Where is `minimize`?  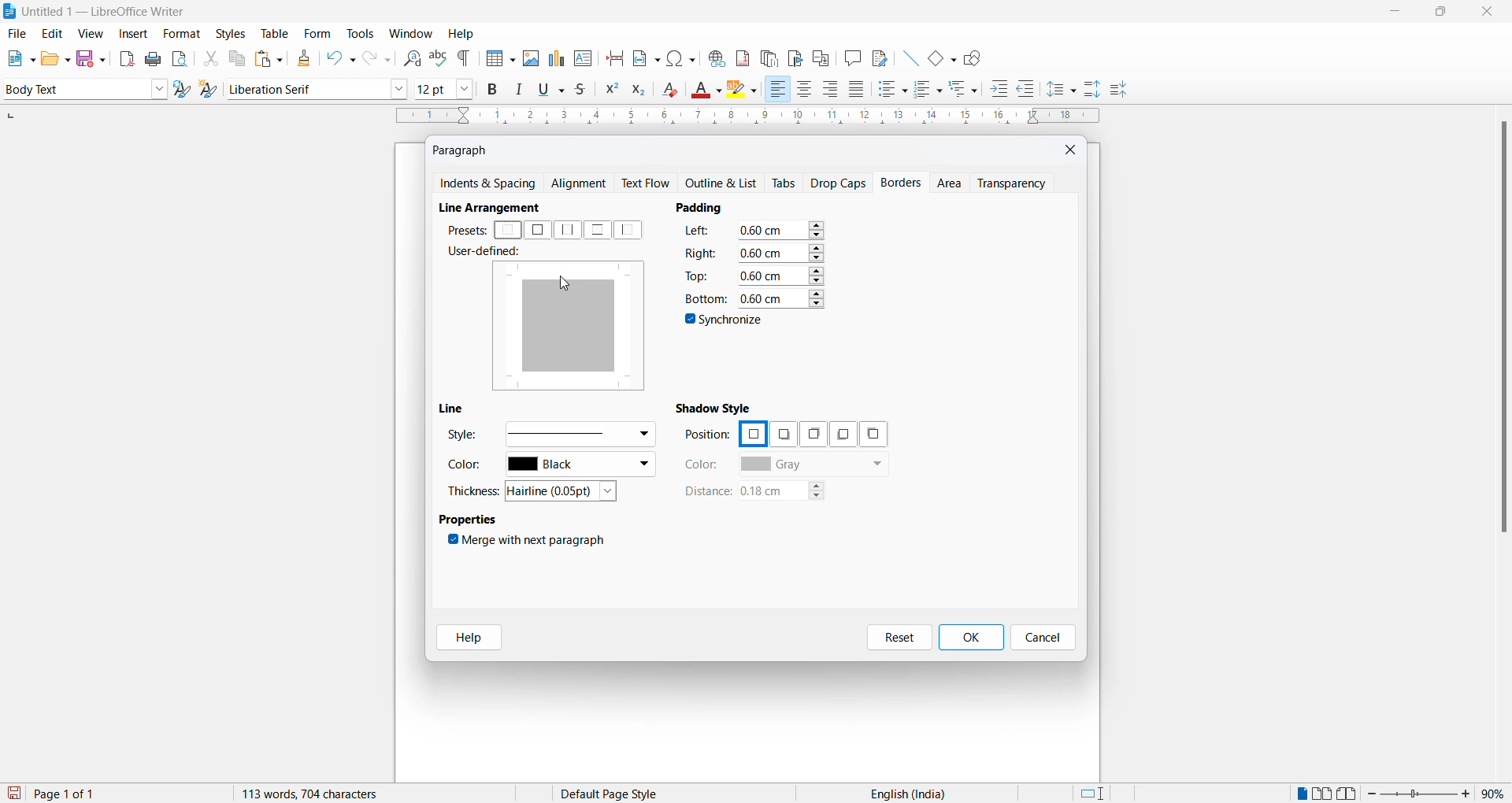 minimize is located at coordinates (1393, 14).